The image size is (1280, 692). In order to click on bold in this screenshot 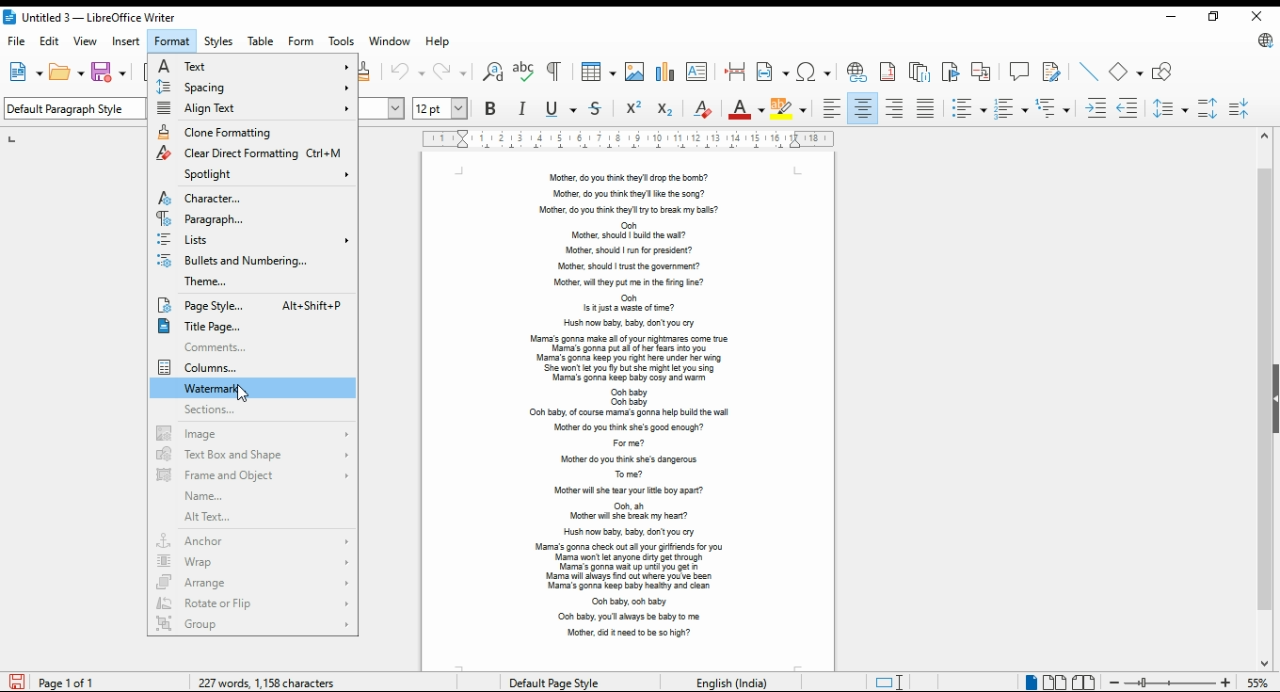, I will do `click(493, 108)`.